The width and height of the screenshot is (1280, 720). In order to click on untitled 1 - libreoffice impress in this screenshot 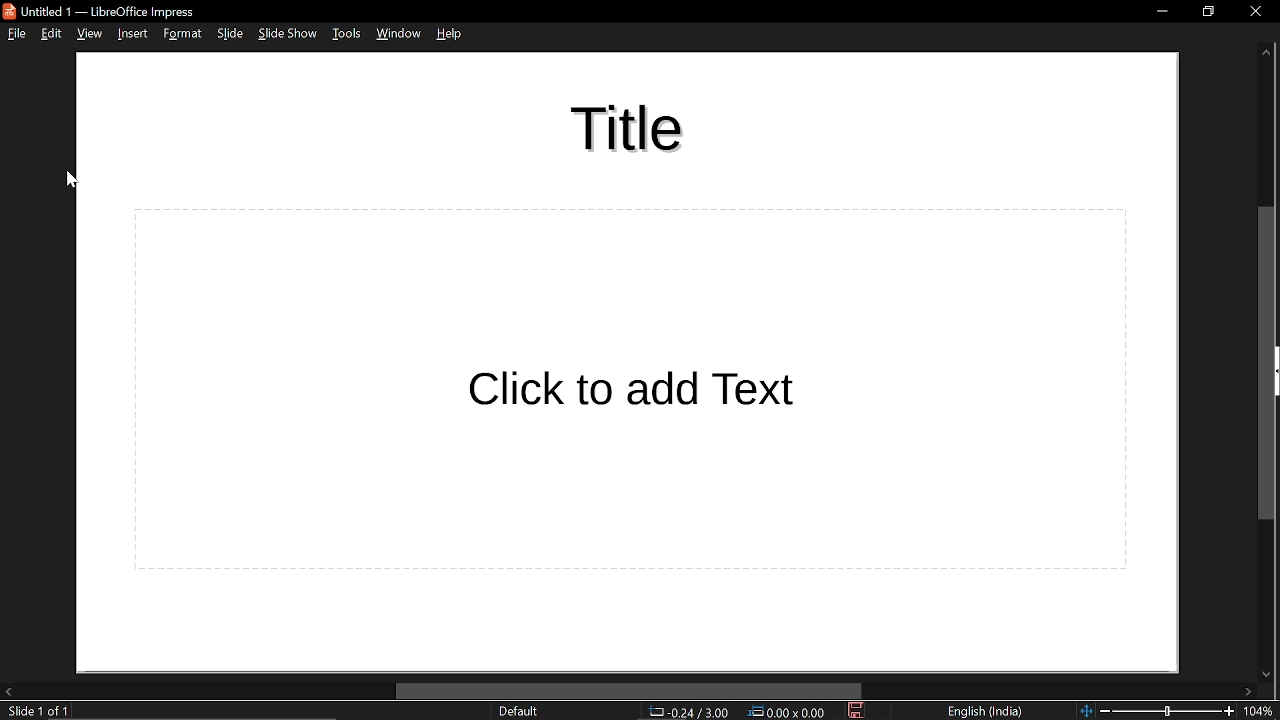, I will do `click(103, 10)`.